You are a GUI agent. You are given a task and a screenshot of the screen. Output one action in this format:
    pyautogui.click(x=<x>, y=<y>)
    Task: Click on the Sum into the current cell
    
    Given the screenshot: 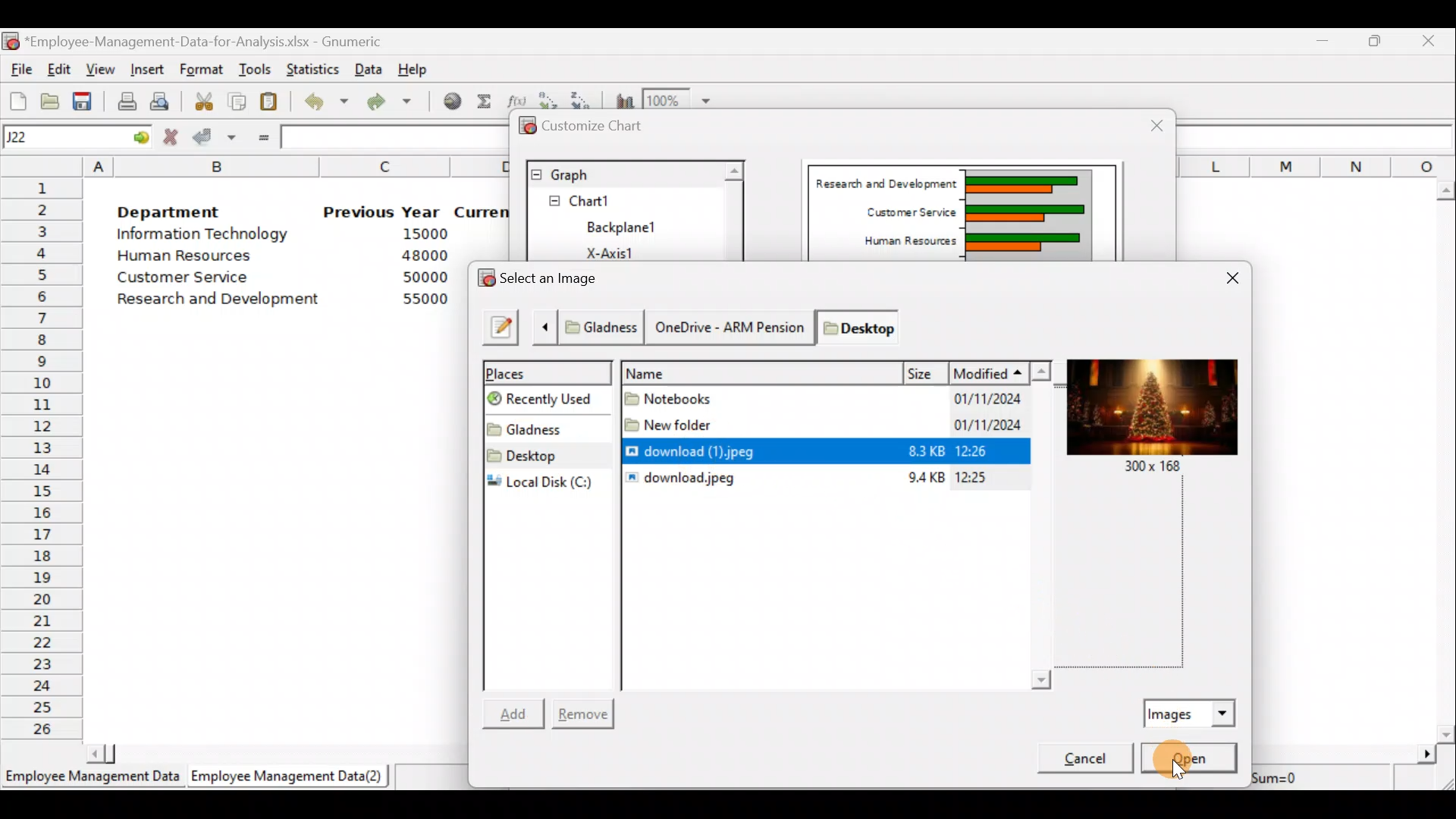 What is the action you would take?
    pyautogui.click(x=485, y=105)
    